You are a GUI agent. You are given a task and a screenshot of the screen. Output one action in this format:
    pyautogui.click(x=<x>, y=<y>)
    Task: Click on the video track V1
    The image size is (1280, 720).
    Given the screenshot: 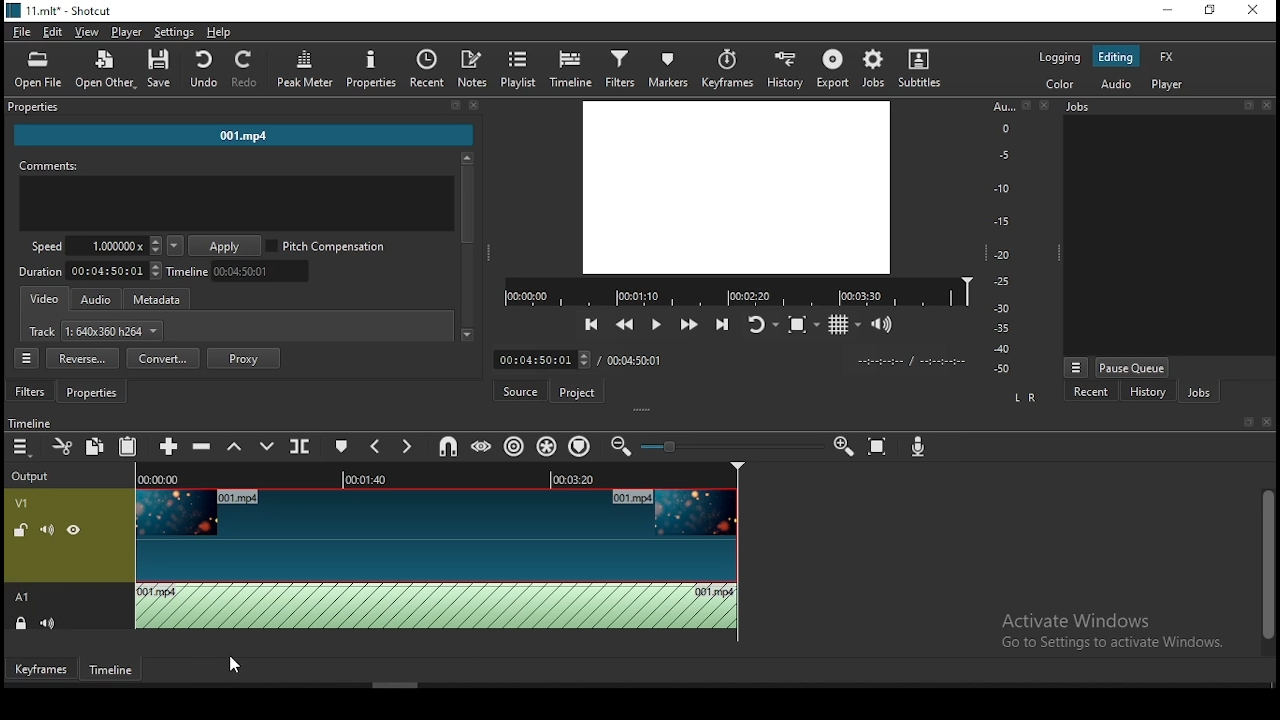 What is the action you would take?
    pyautogui.click(x=441, y=535)
    